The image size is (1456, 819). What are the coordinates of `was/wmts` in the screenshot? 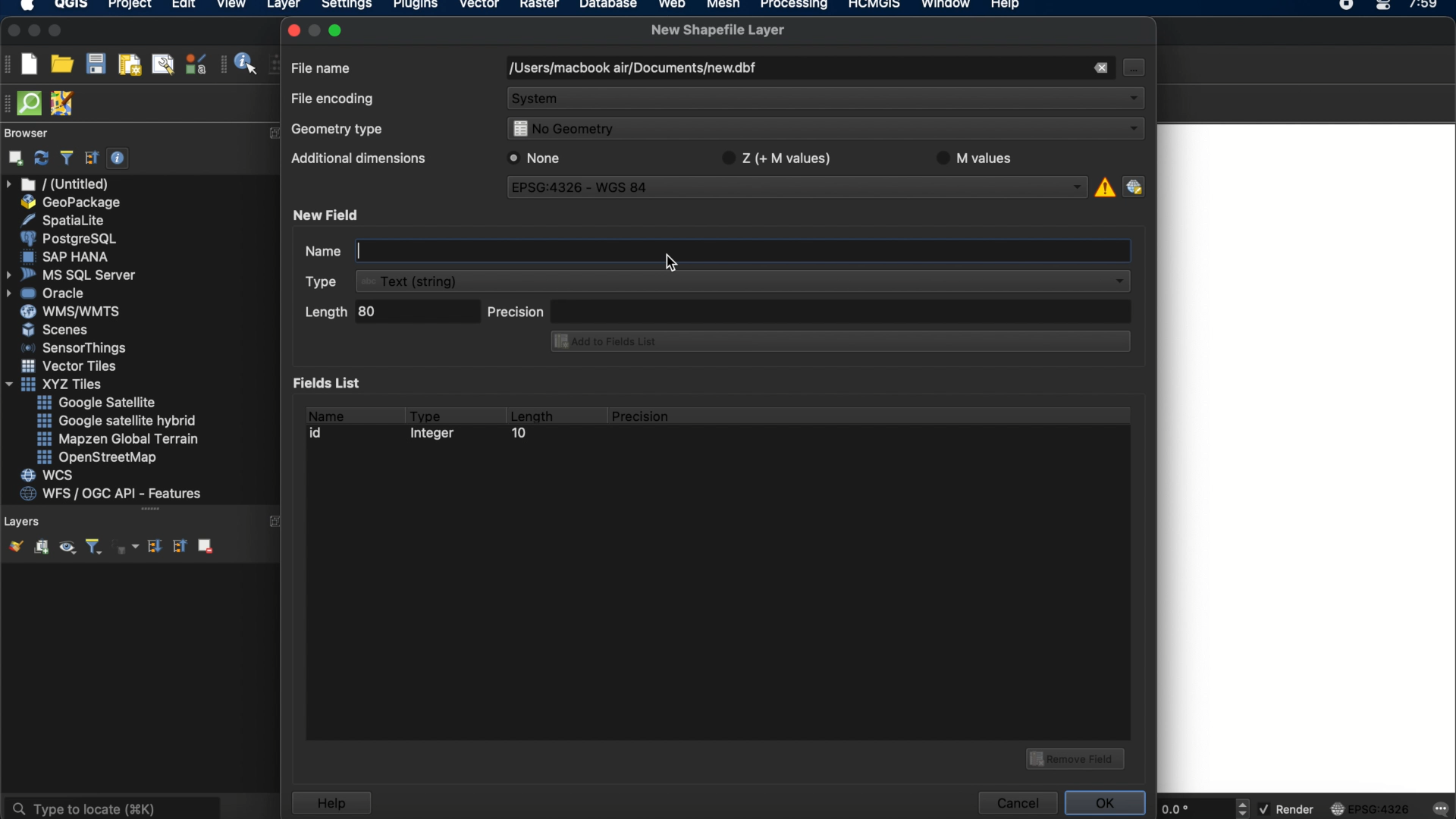 It's located at (72, 312).